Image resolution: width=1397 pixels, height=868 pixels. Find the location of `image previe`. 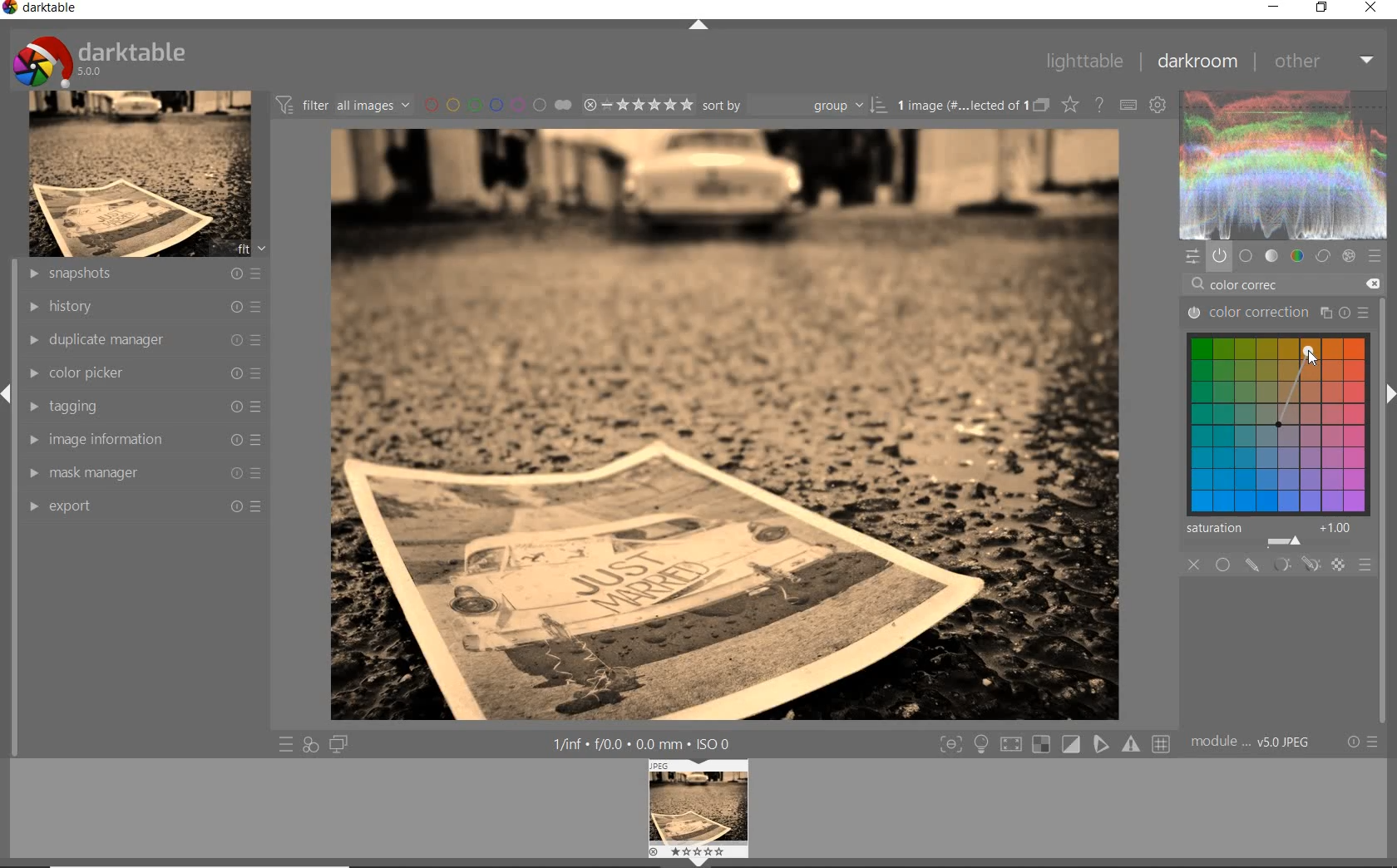

image previe is located at coordinates (699, 813).